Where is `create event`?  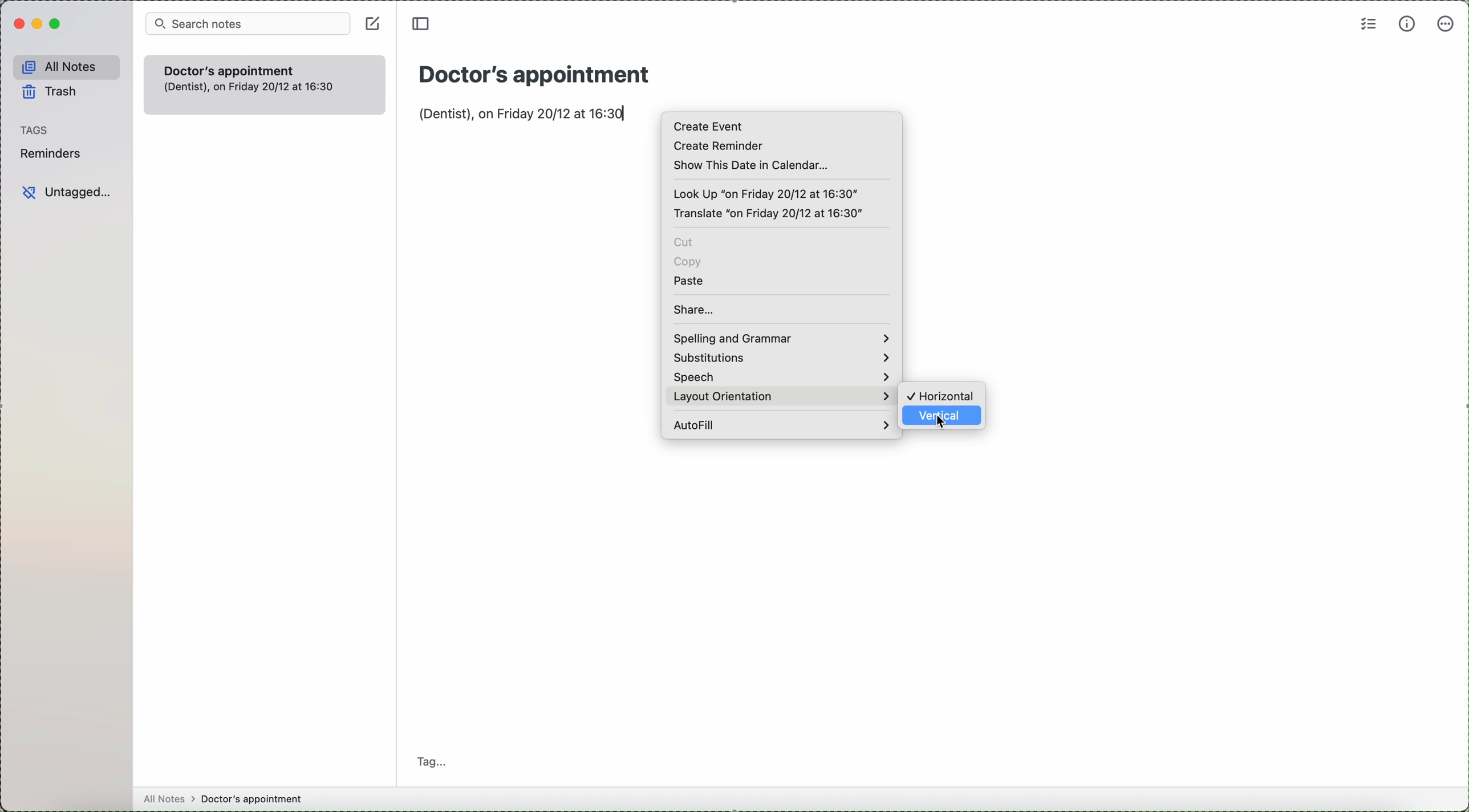 create event is located at coordinates (709, 126).